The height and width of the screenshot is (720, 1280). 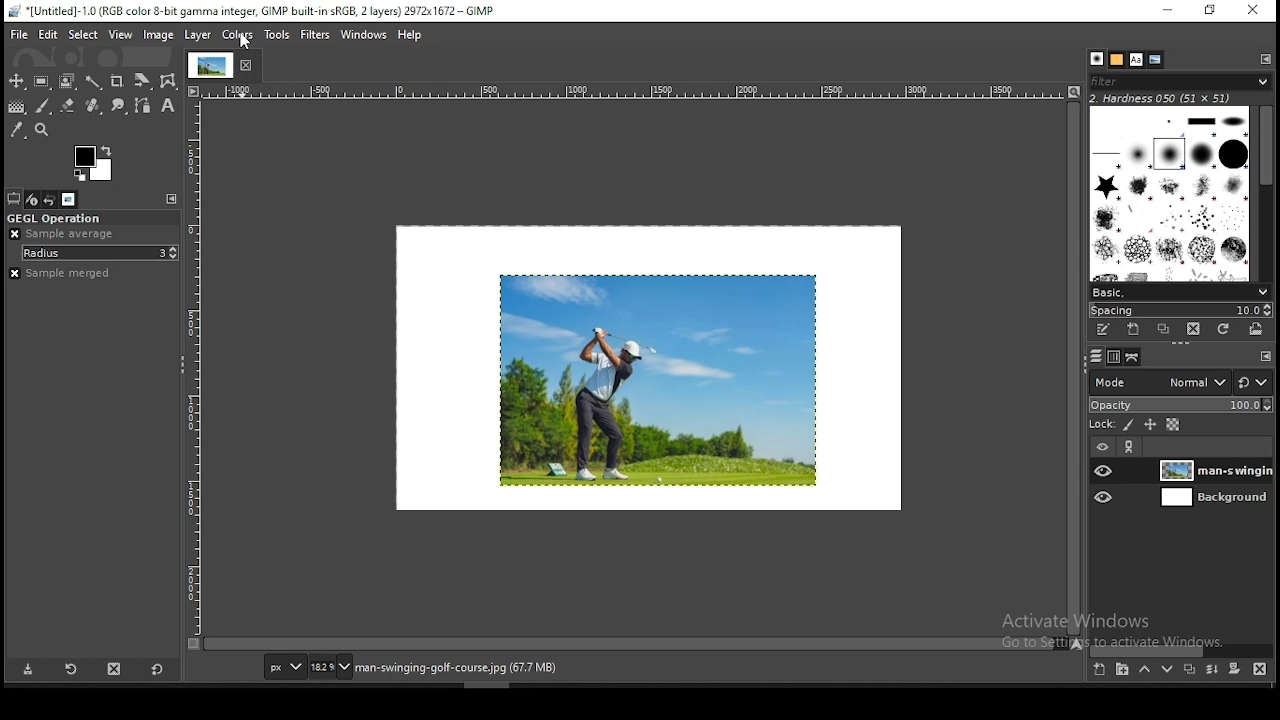 What do you see at coordinates (83, 33) in the screenshot?
I see `select` at bounding box center [83, 33].